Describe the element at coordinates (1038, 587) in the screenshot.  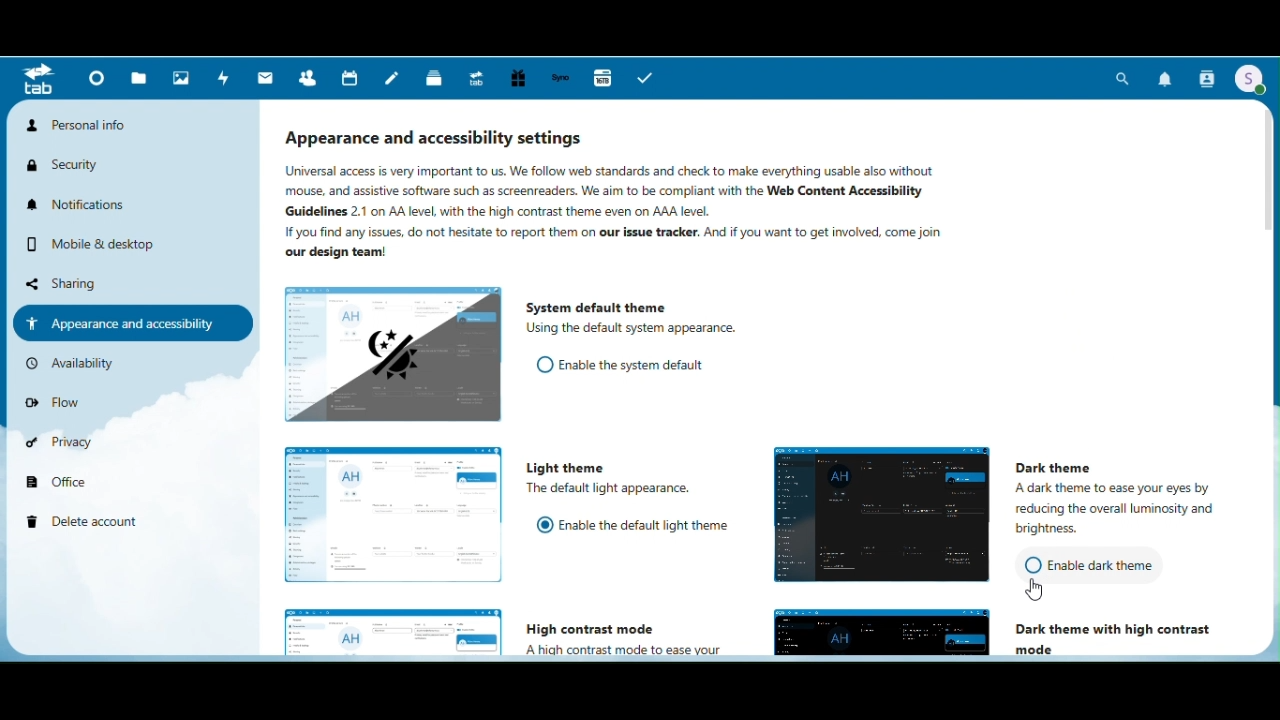
I see `cursor` at that location.